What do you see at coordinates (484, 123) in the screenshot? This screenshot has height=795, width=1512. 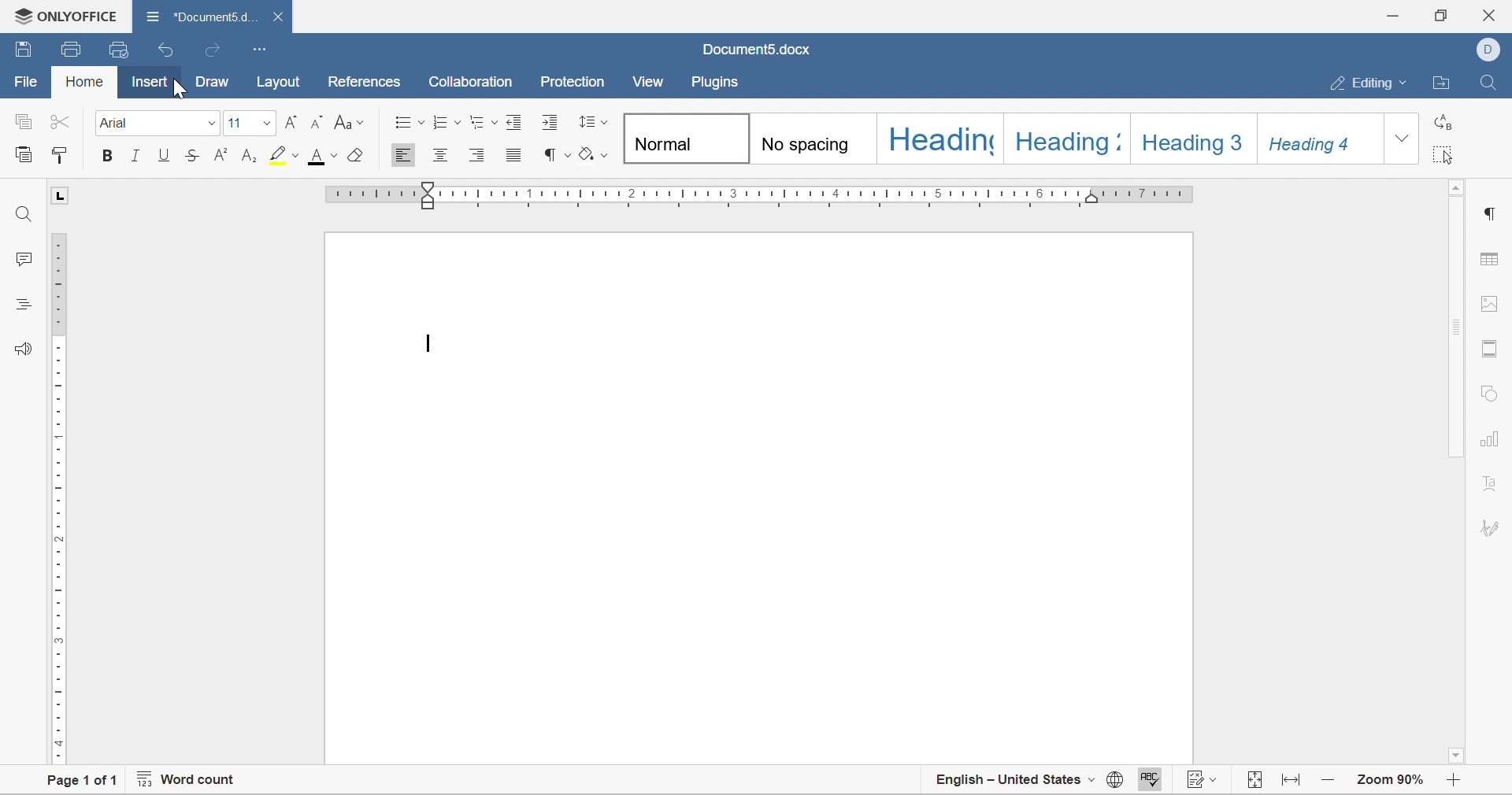 I see `multilevel list` at bounding box center [484, 123].